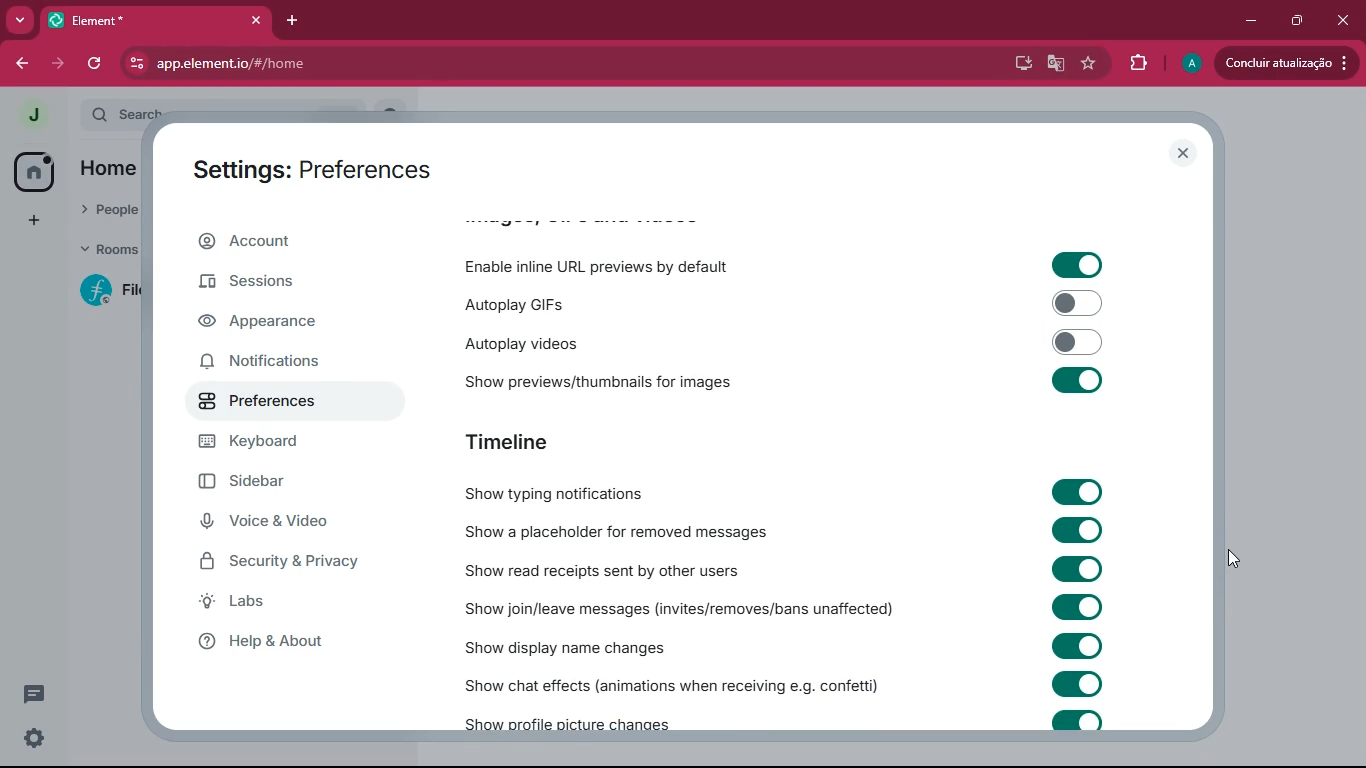 Image resolution: width=1366 pixels, height=768 pixels. I want to click on drag to, so click(1234, 558).